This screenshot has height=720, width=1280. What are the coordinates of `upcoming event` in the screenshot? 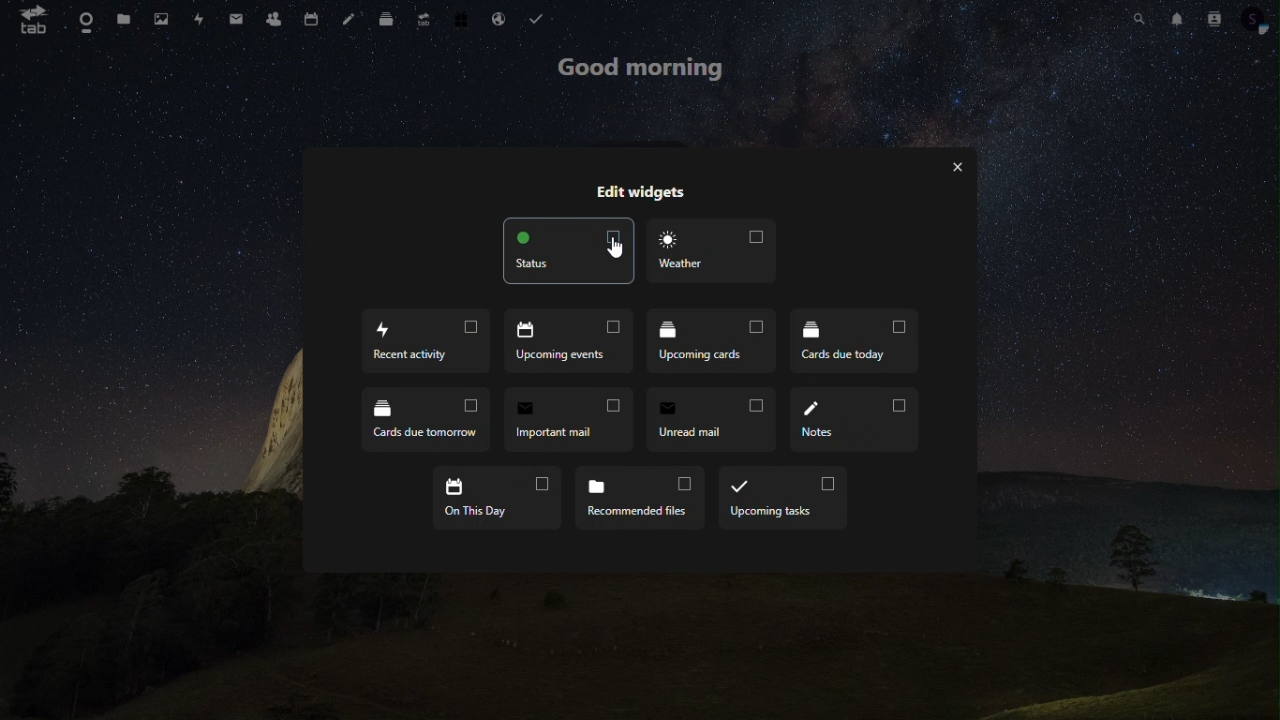 It's located at (572, 343).